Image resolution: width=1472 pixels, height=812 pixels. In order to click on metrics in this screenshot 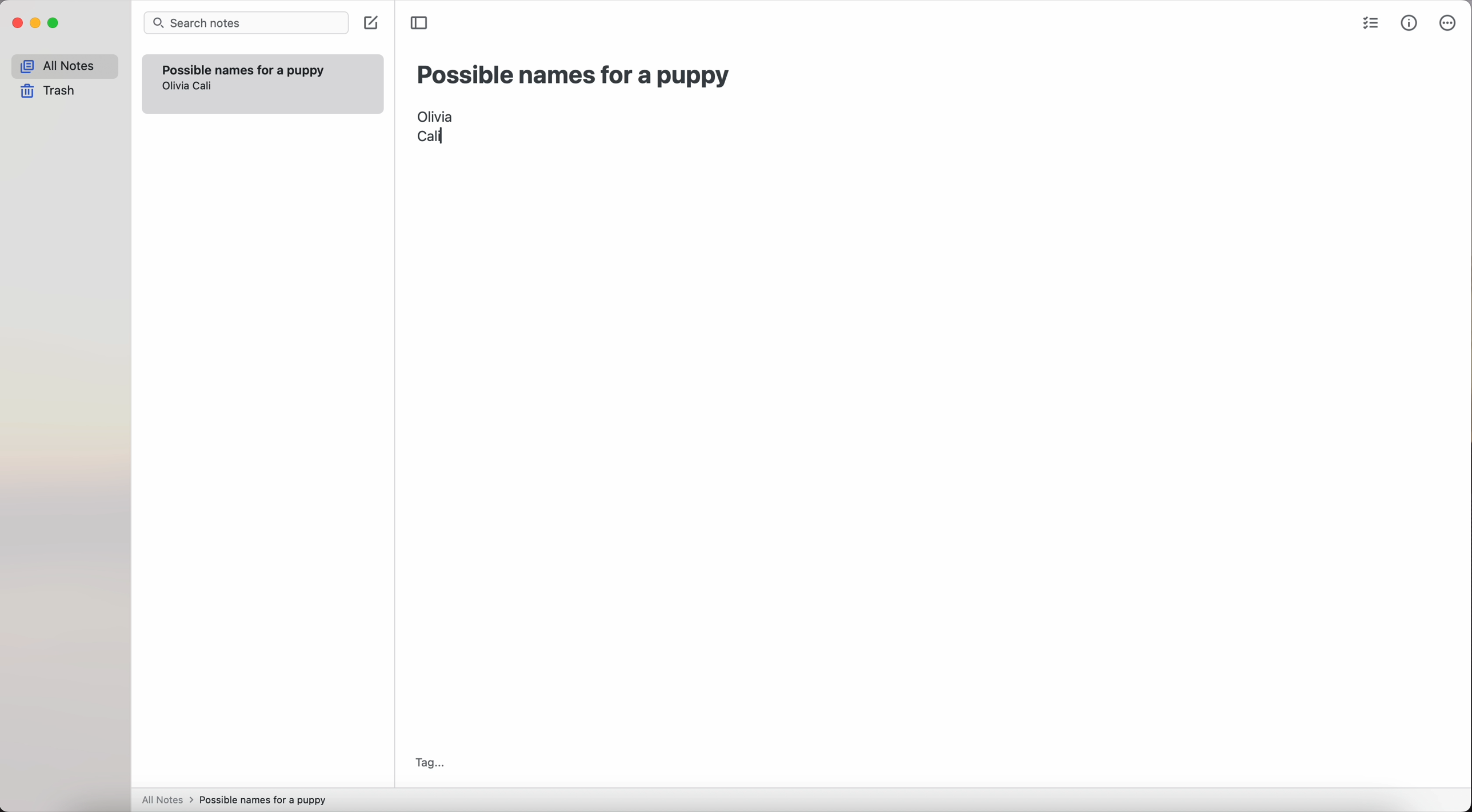, I will do `click(1410, 23)`.